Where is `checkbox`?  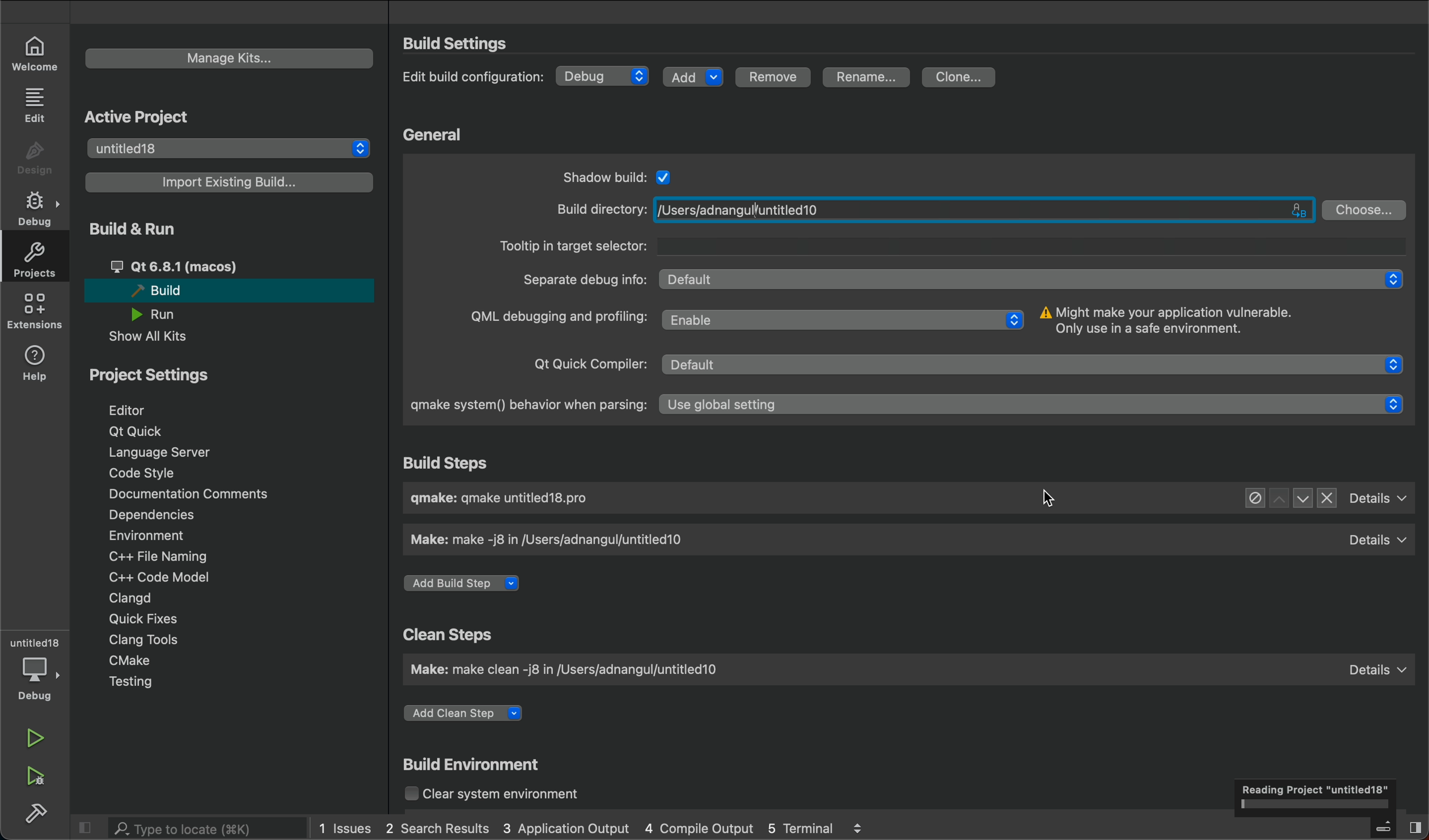
checkbox is located at coordinates (665, 175).